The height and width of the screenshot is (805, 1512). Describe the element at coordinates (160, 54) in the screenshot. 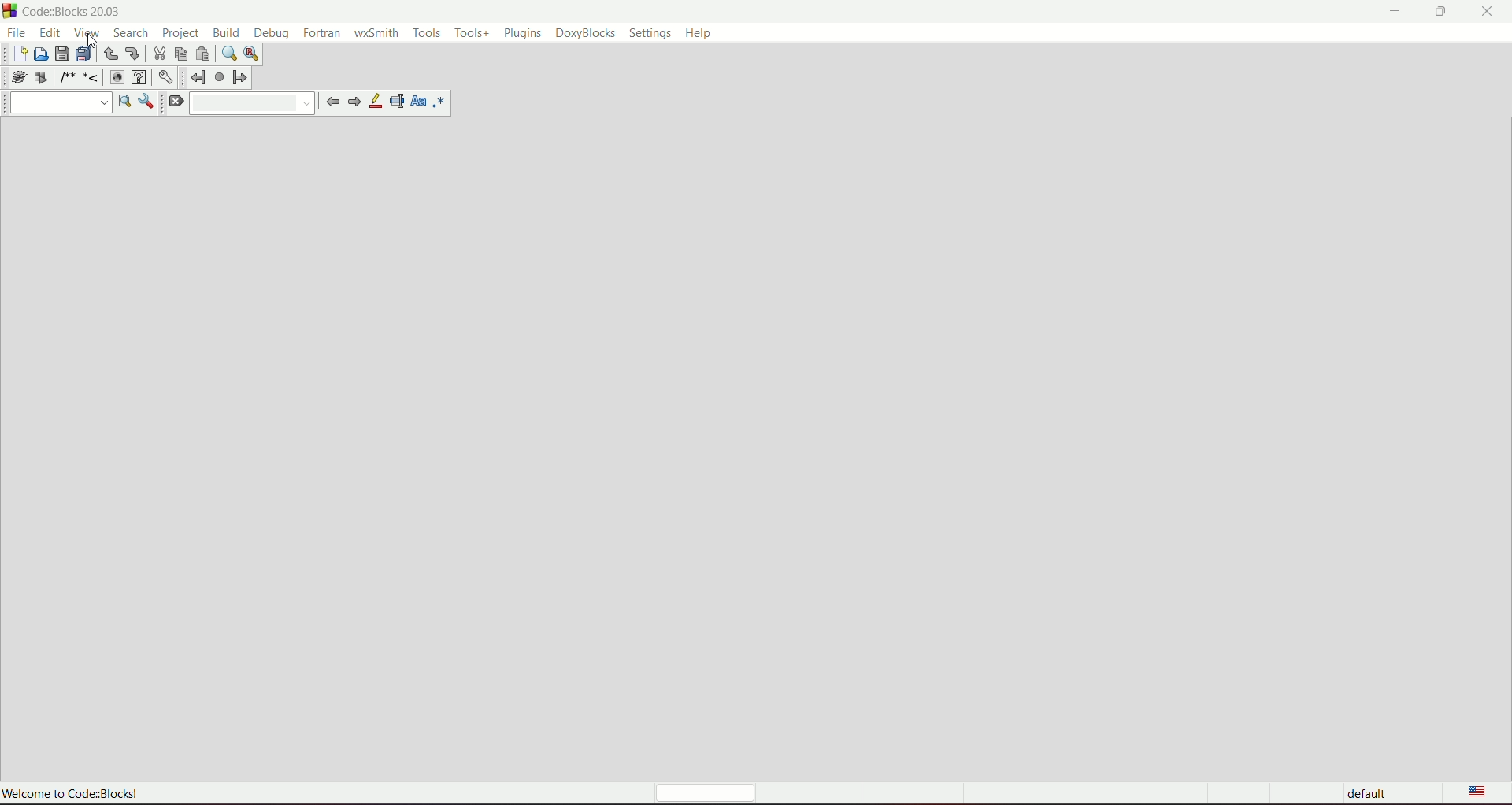

I see `cut` at that location.